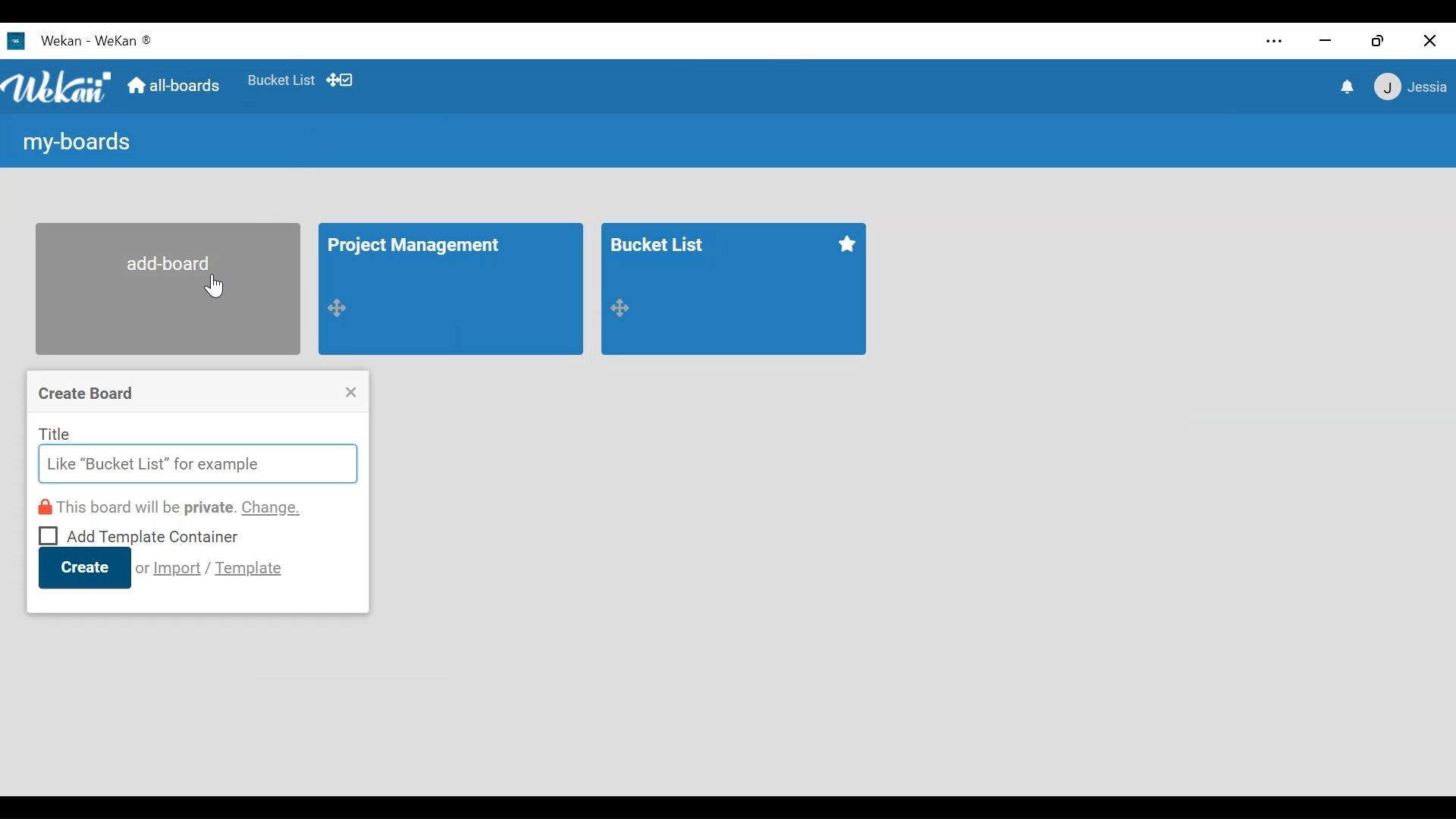  Describe the element at coordinates (420, 247) in the screenshot. I see `Board title` at that location.